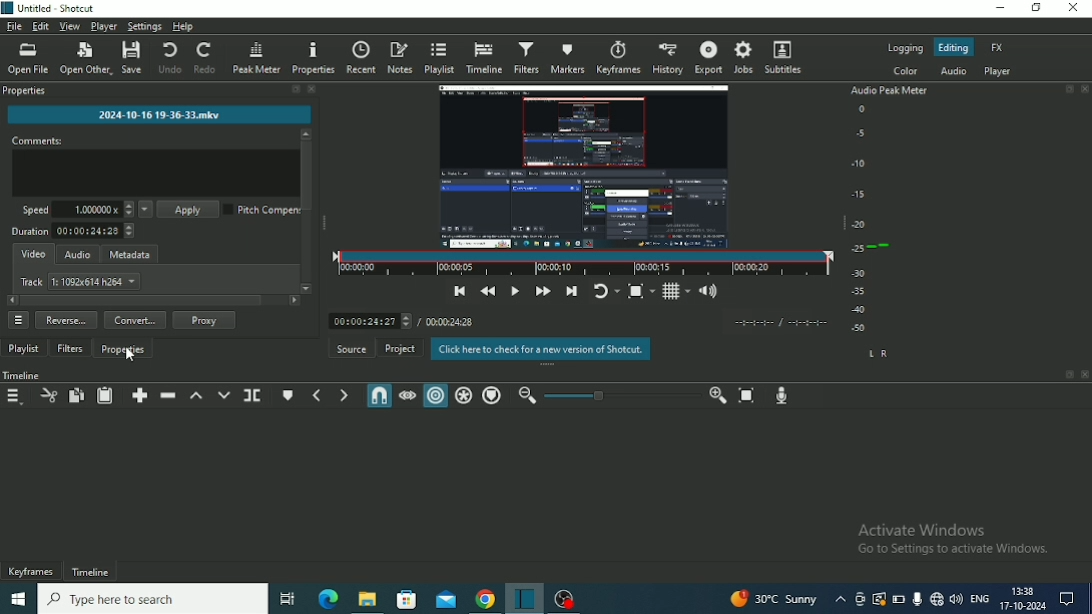 The image size is (1092, 614). What do you see at coordinates (203, 319) in the screenshot?
I see `Proxy` at bounding box center [203, 319].